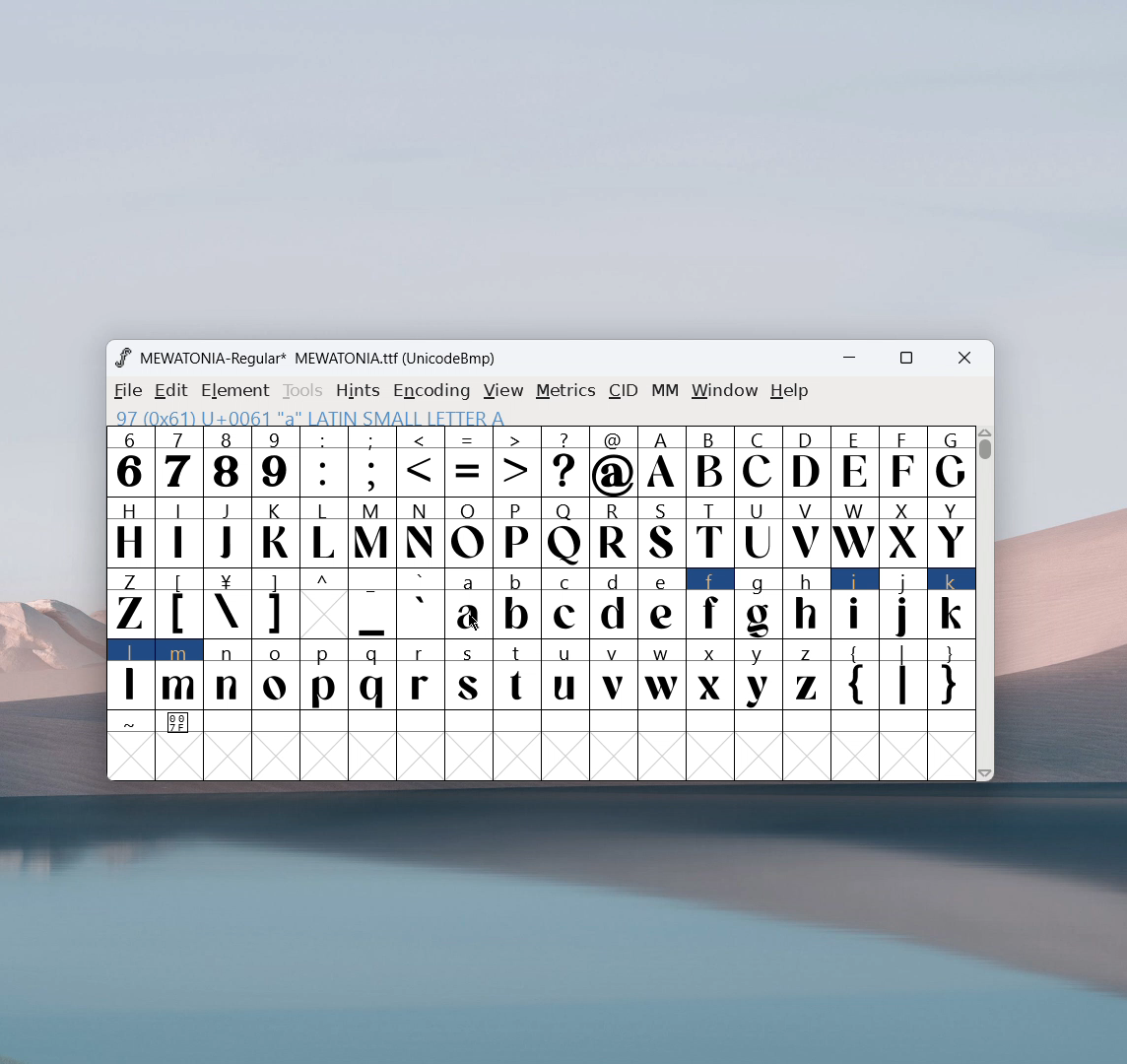 Image resolution: width=1127 pixels, height=1064 pixels. I want to click on maximize, so click(905, 361).